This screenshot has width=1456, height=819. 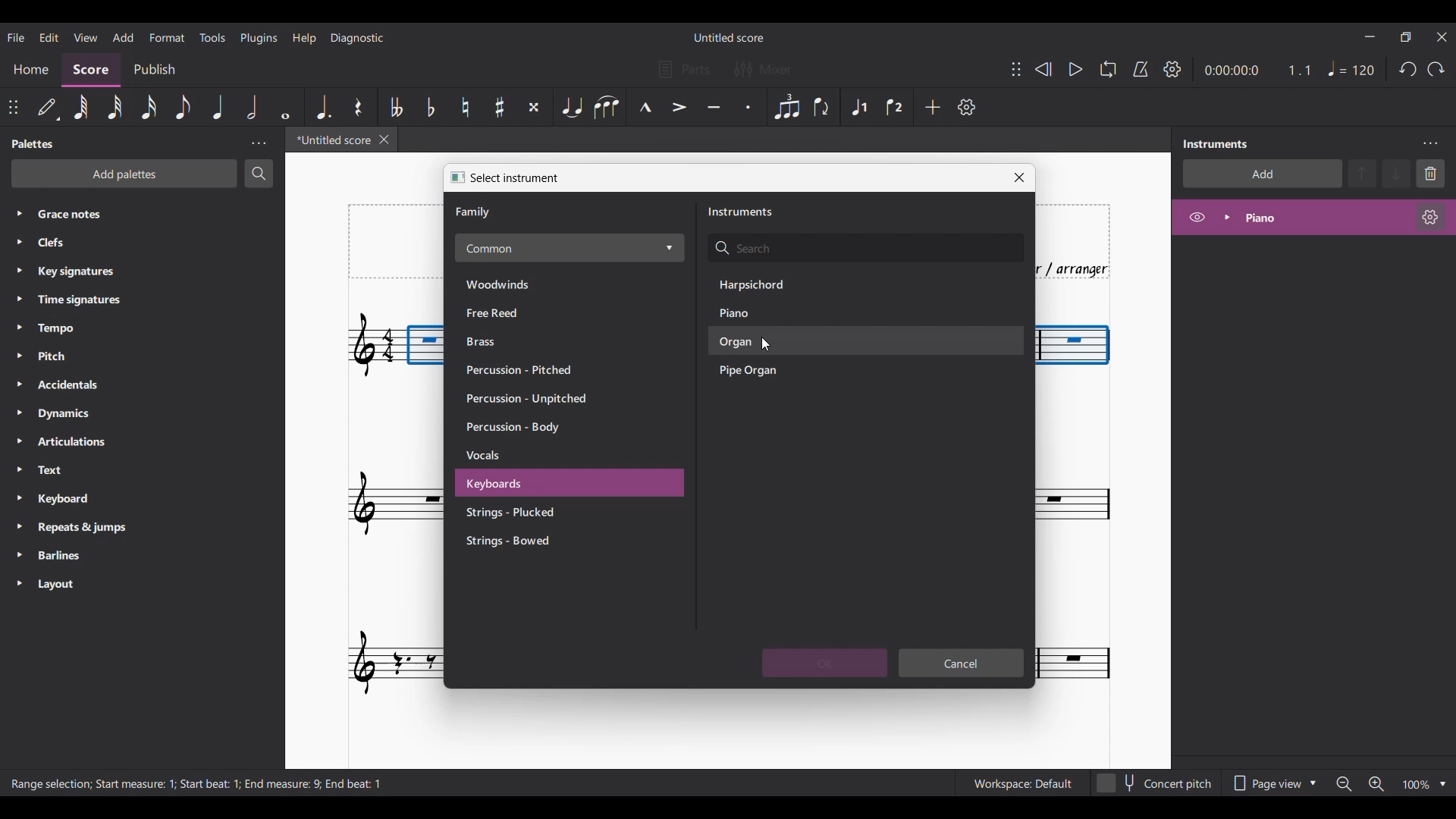 What do you see at coordinates (1016, 69) in the screenshot?
I see `Change position of toolbar attached` at bounding box center [1016, 69].